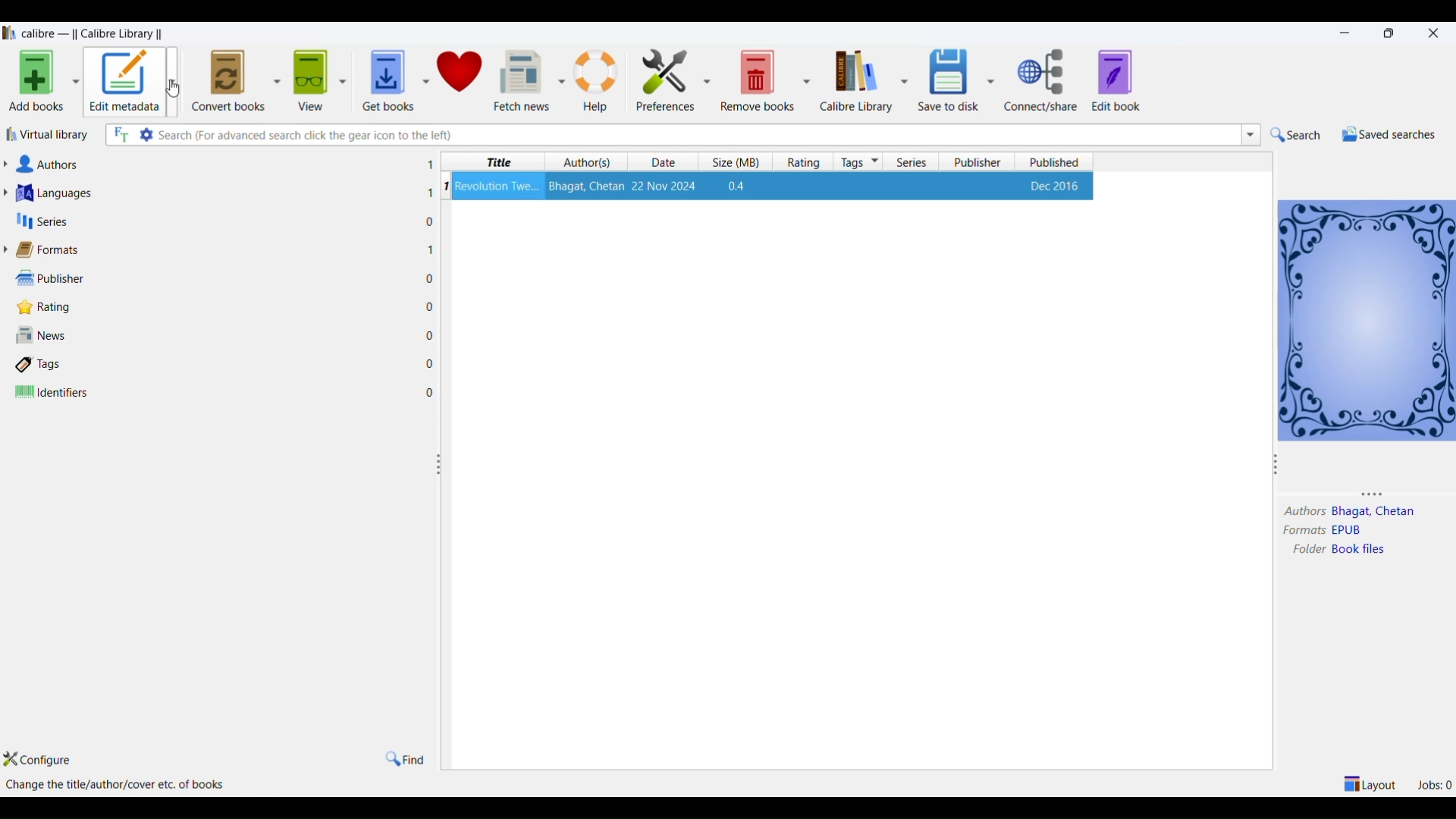 Image resolution: width=1456 pixels, height=819 pixels. I want to click on remove books, so click(758, 79).